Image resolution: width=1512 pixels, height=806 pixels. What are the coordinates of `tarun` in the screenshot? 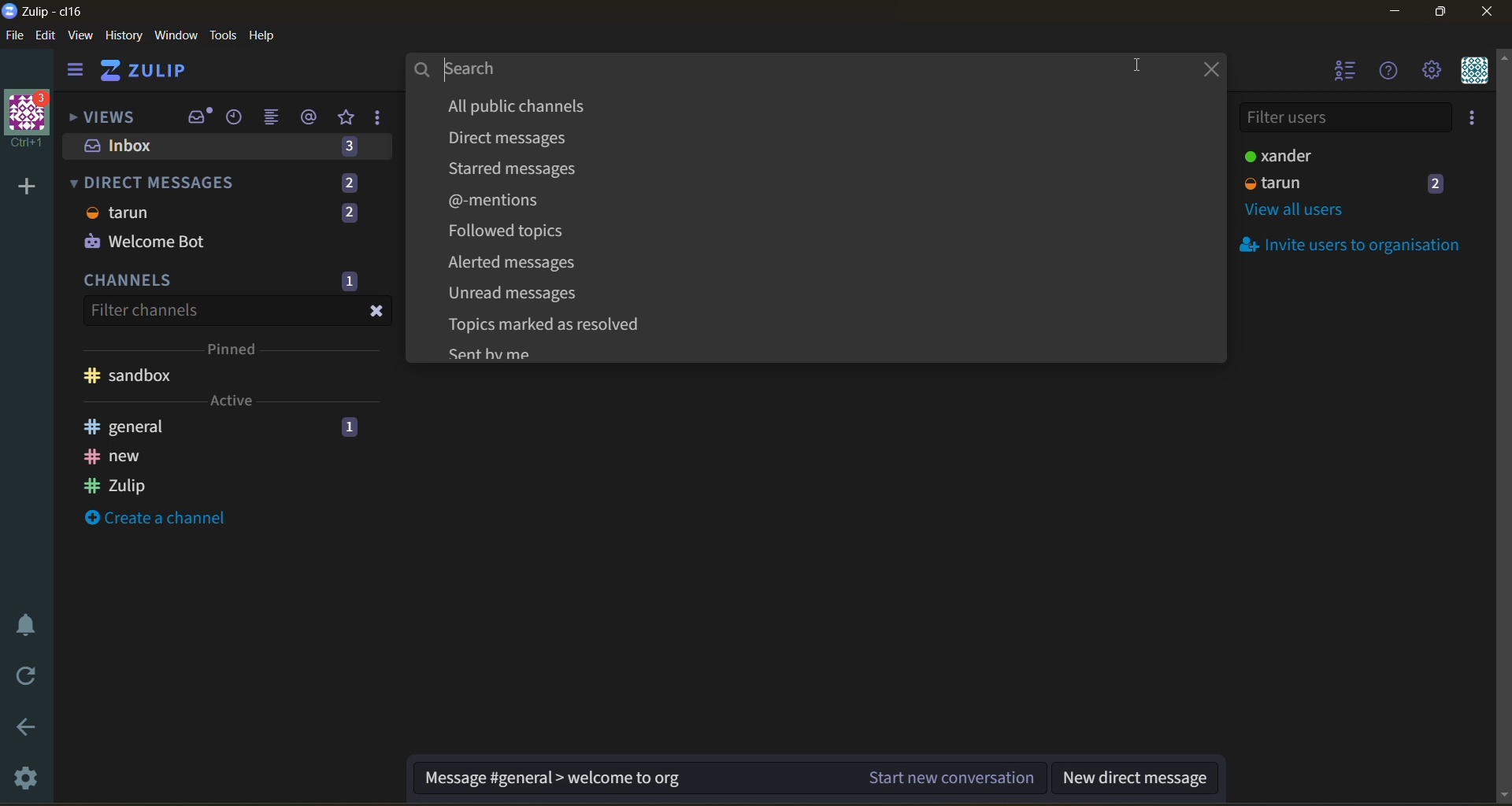 It's located at (120, 213).